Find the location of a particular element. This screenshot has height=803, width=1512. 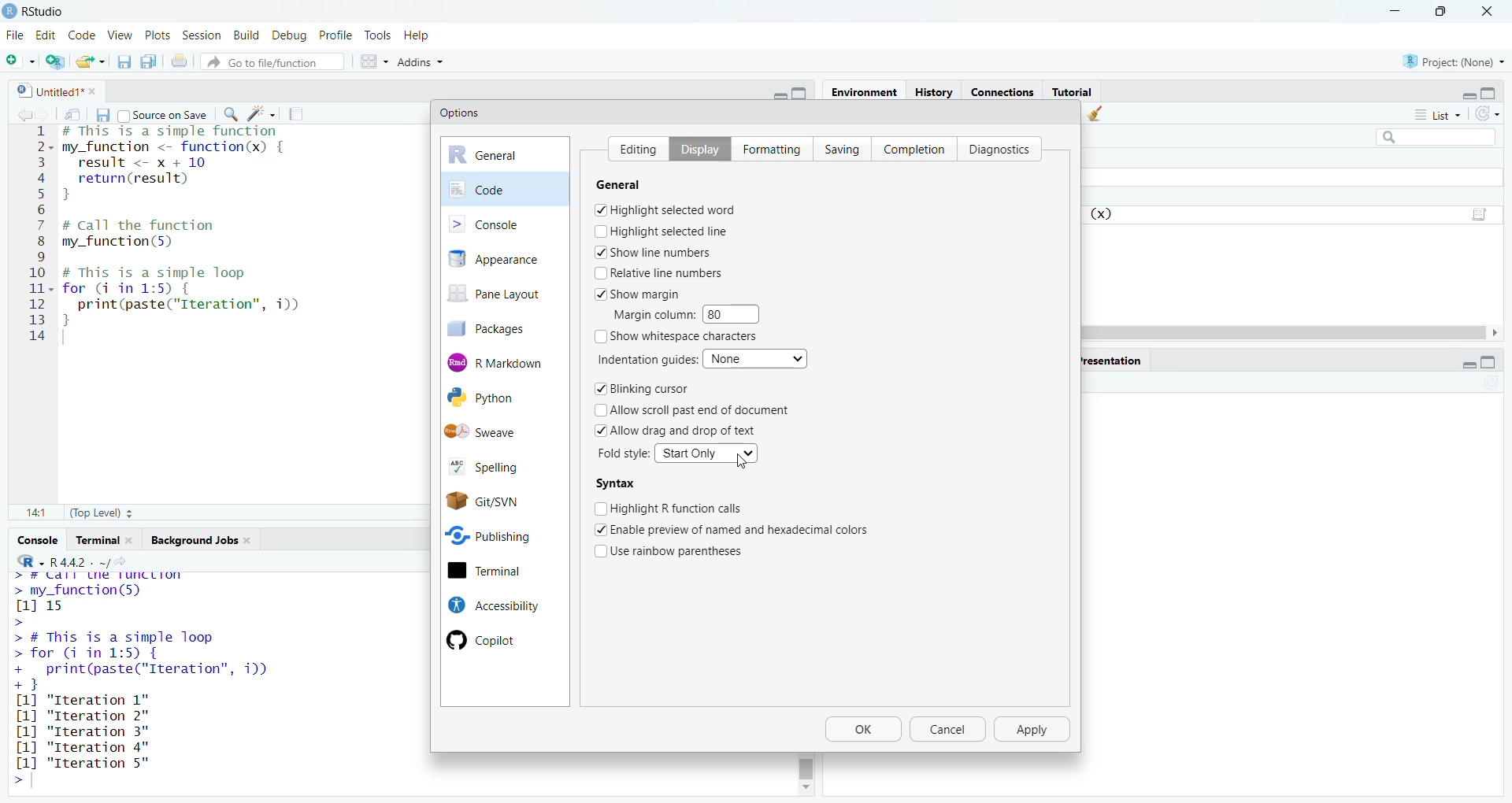

show whitespace characters is located at coordinates (679, 337).